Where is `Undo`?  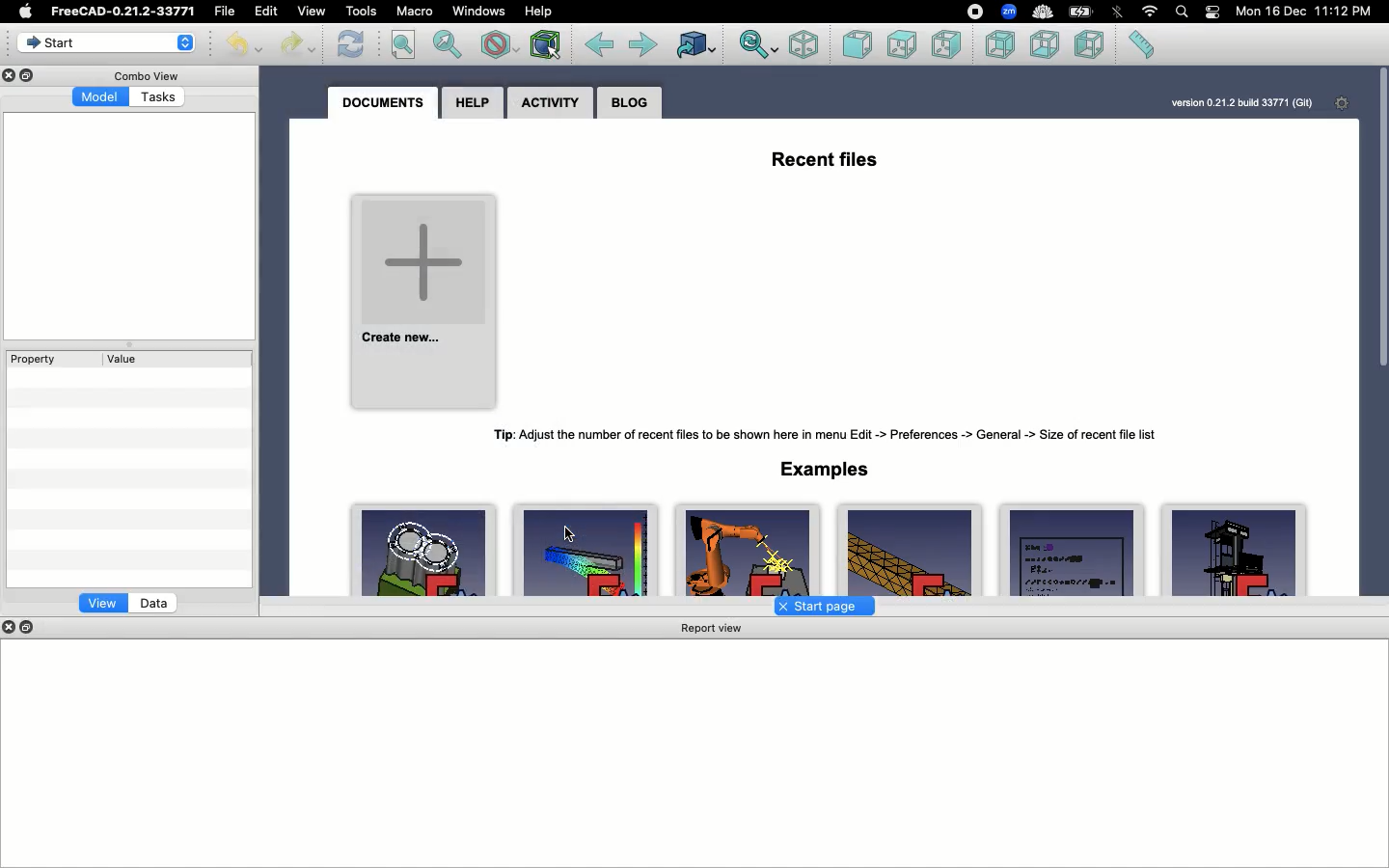
Undo is located at coordinates (246, 46).